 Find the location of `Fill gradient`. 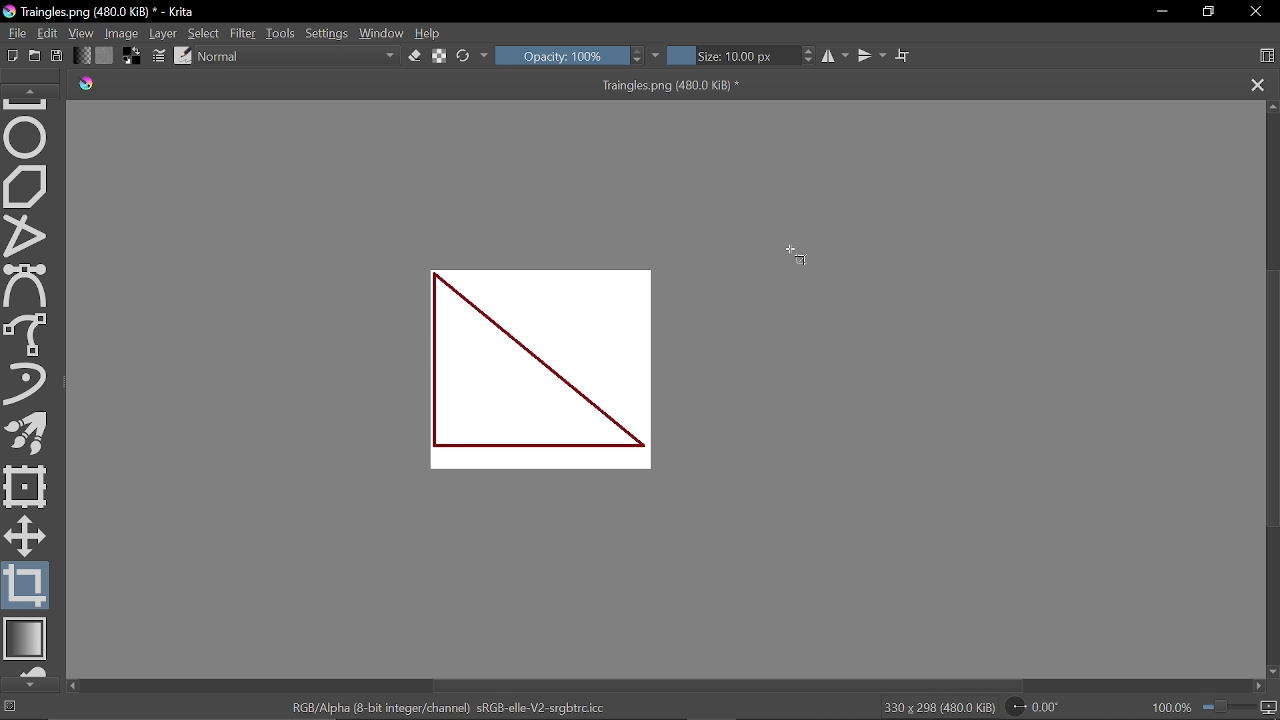

Fill gradient is located at coordinates (82, 55).